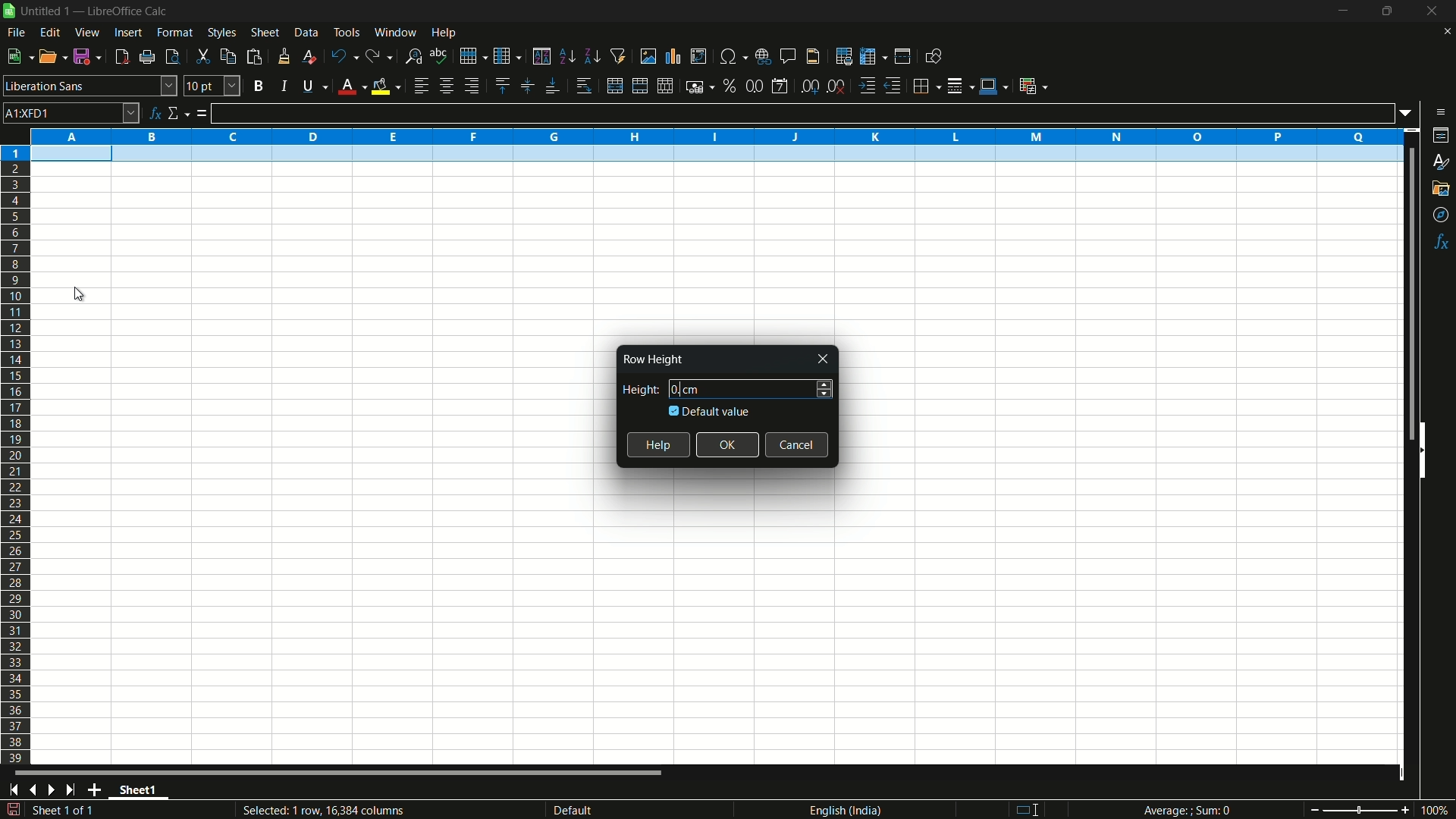 The width and height of the screenshot is (1456, 819). What do you see at coordinates (598, 810) in the screenshot?
I see `default` at bounding box center [598, 810].